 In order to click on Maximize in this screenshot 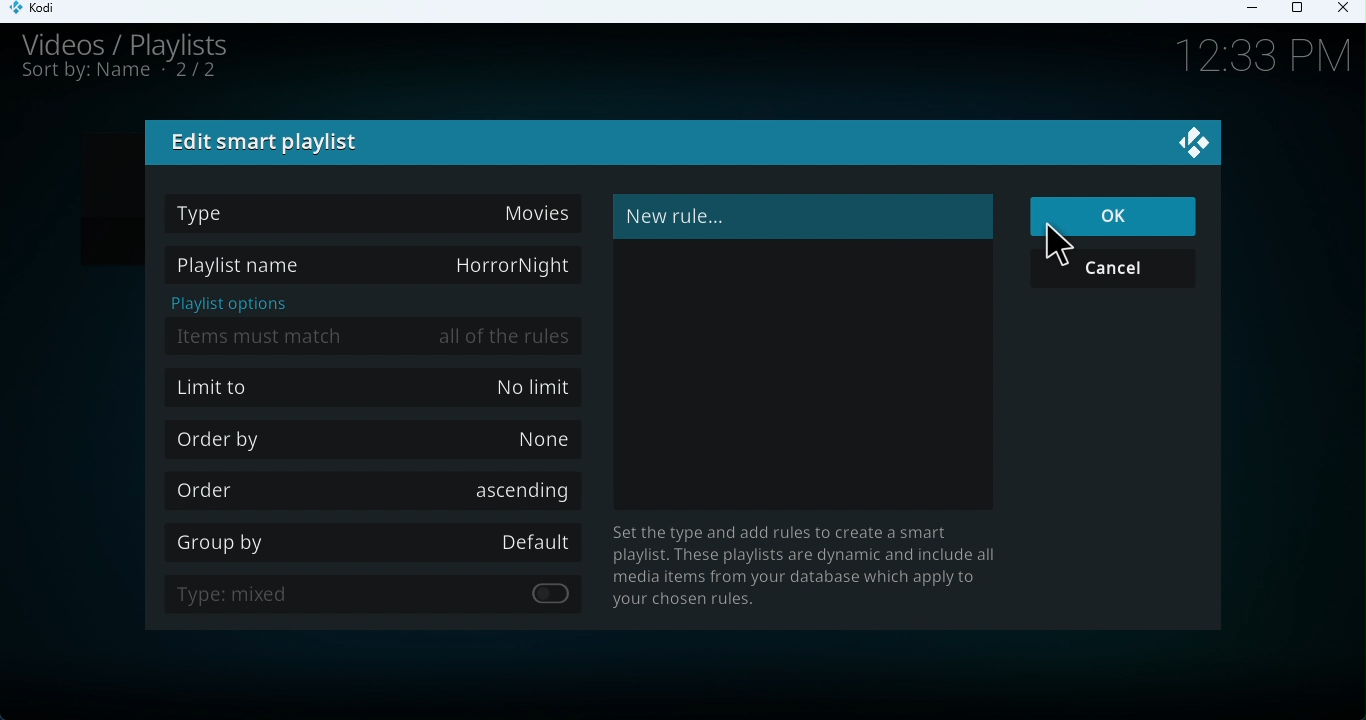, I will do `click(1301, 9)`.